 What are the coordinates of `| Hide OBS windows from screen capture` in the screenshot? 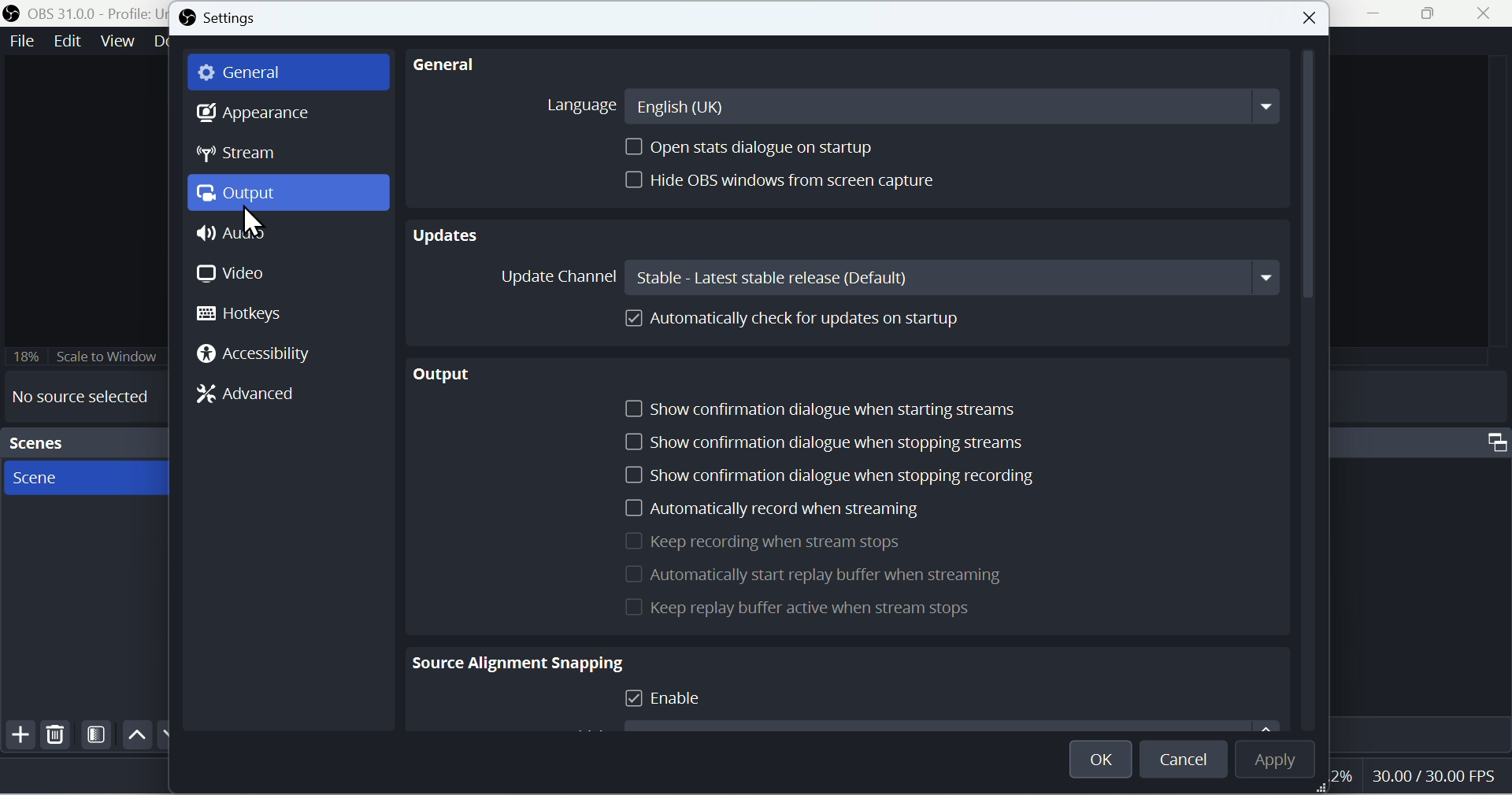 It's located at (787, 177).